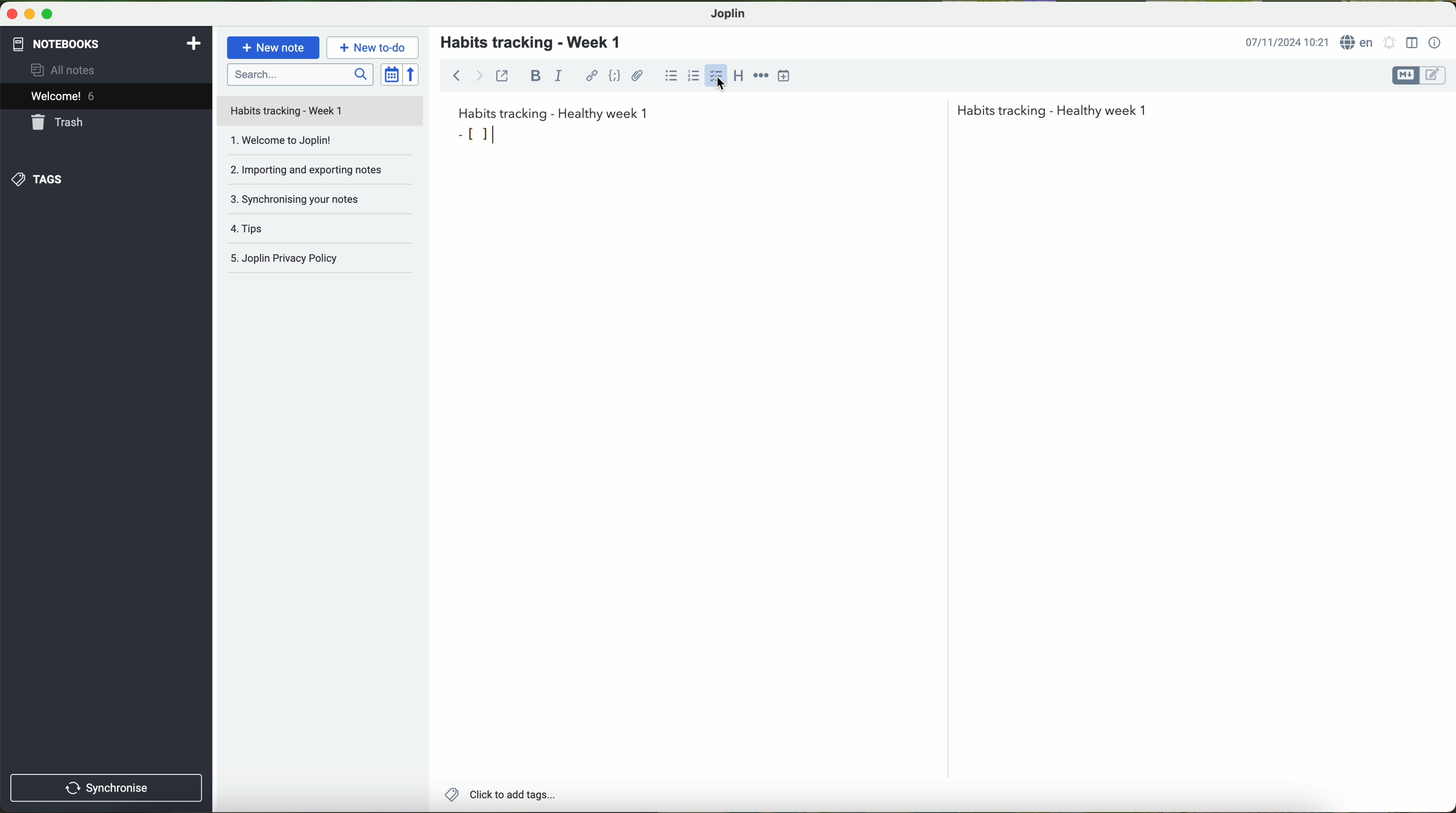  I want to click on note properties, so click(1436, 44).